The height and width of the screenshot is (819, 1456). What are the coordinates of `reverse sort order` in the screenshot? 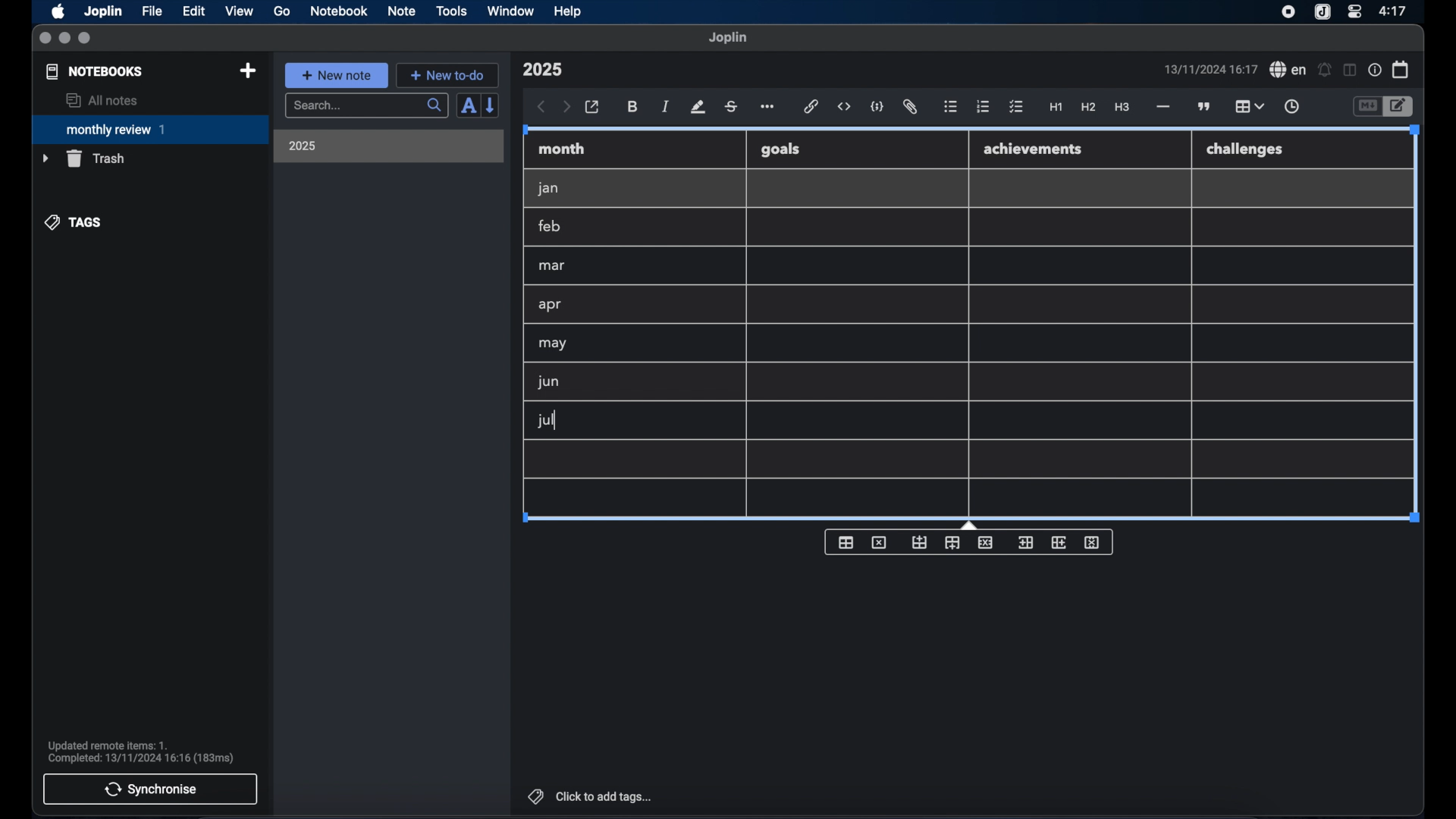 It's located at (491, 105).